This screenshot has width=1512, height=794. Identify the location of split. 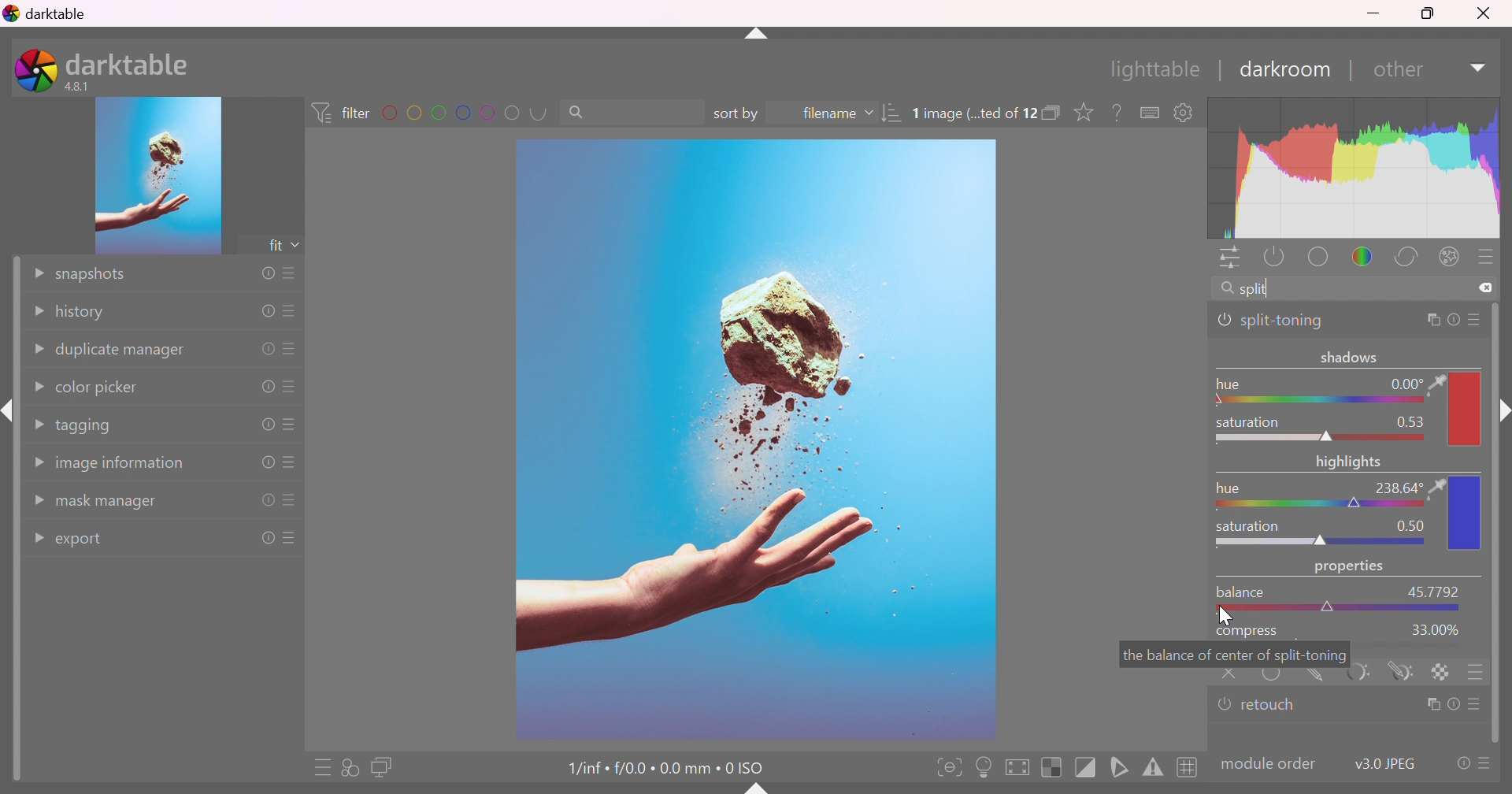
(1255, 291).